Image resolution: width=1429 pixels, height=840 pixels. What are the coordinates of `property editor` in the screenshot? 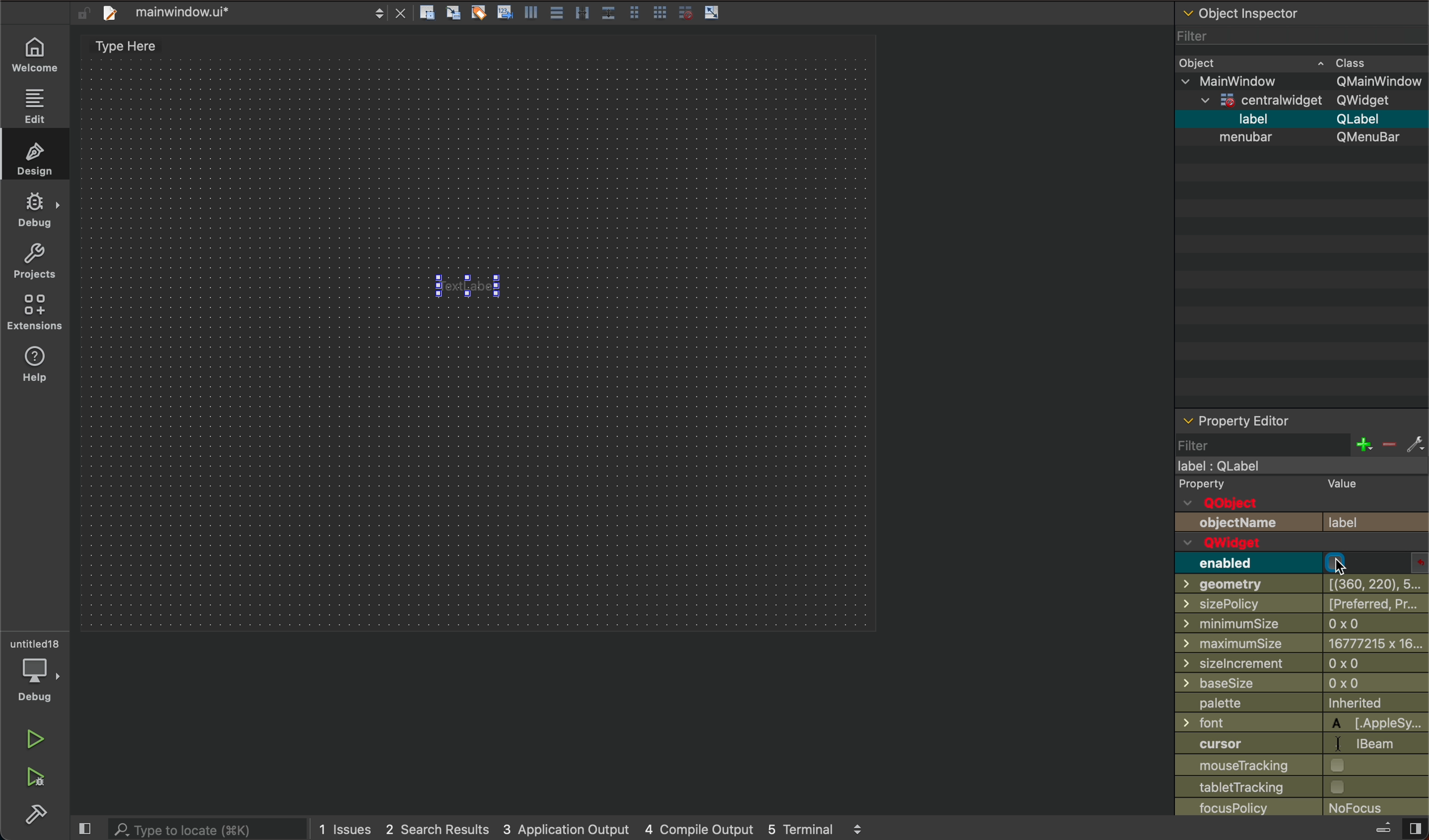 It's located at (1301, 418).